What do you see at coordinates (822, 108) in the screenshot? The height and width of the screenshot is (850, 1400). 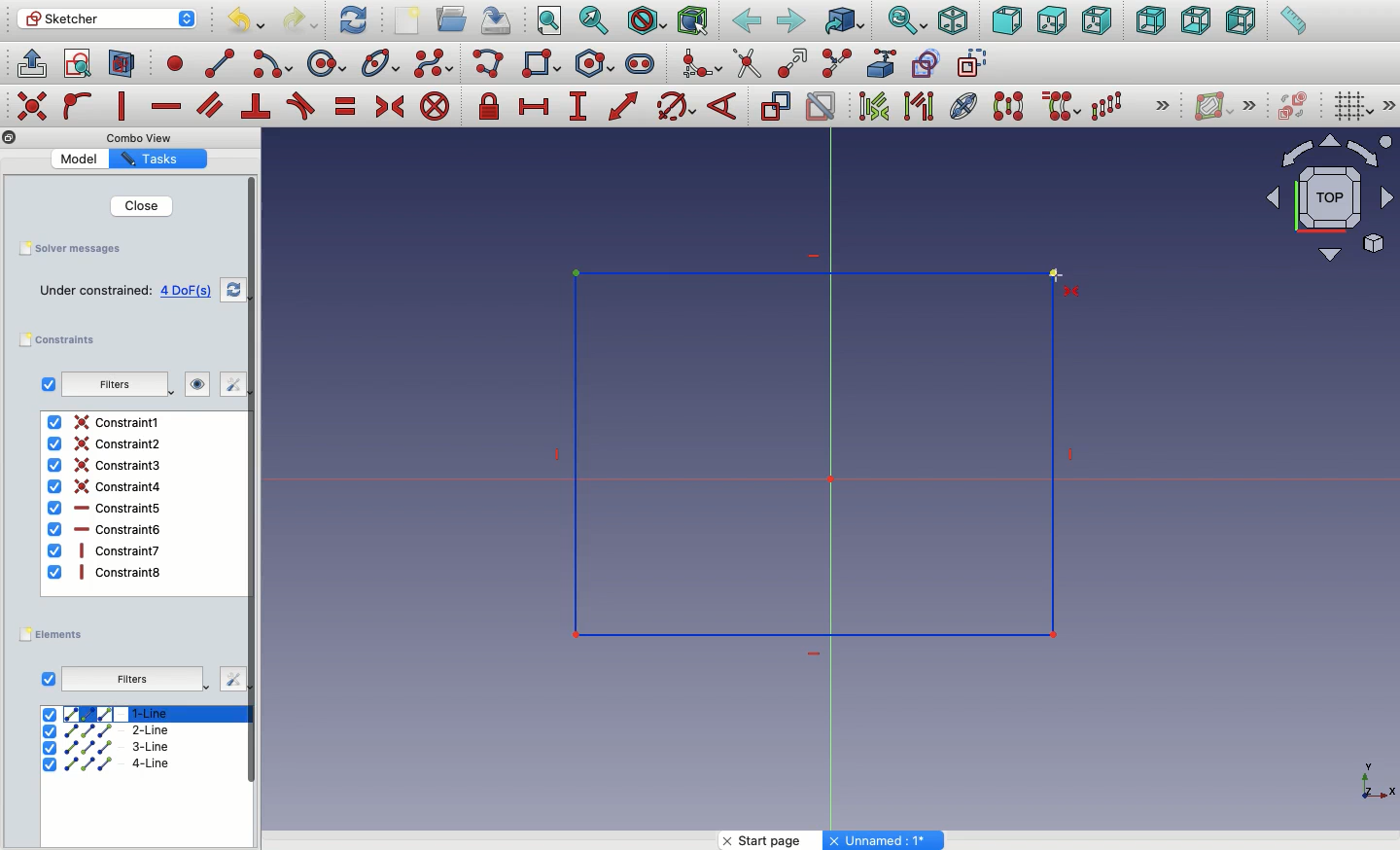 I see `Activate deactivate constraint` at bounding box center [822, 108].